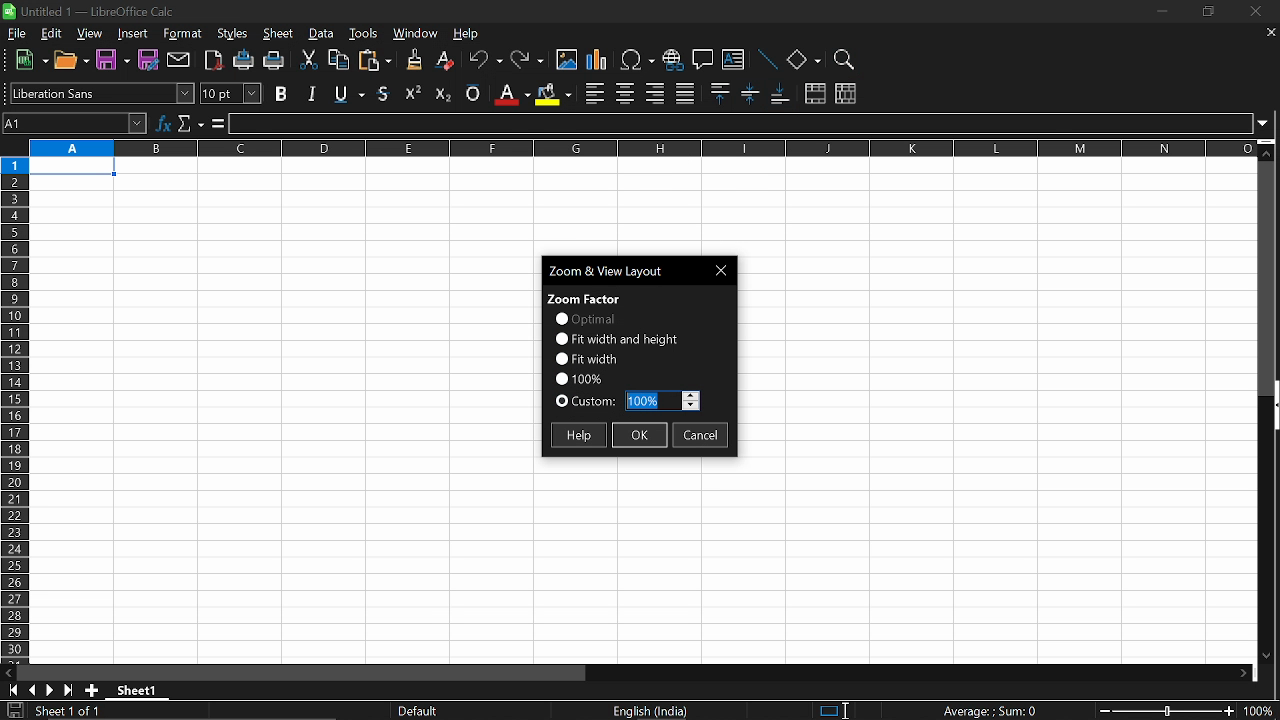 This screenshot has height=720, width=1280. What do you see at coordinates (640, 437) in the screenshot?
I see `ok` at bounding box center [640, 437].